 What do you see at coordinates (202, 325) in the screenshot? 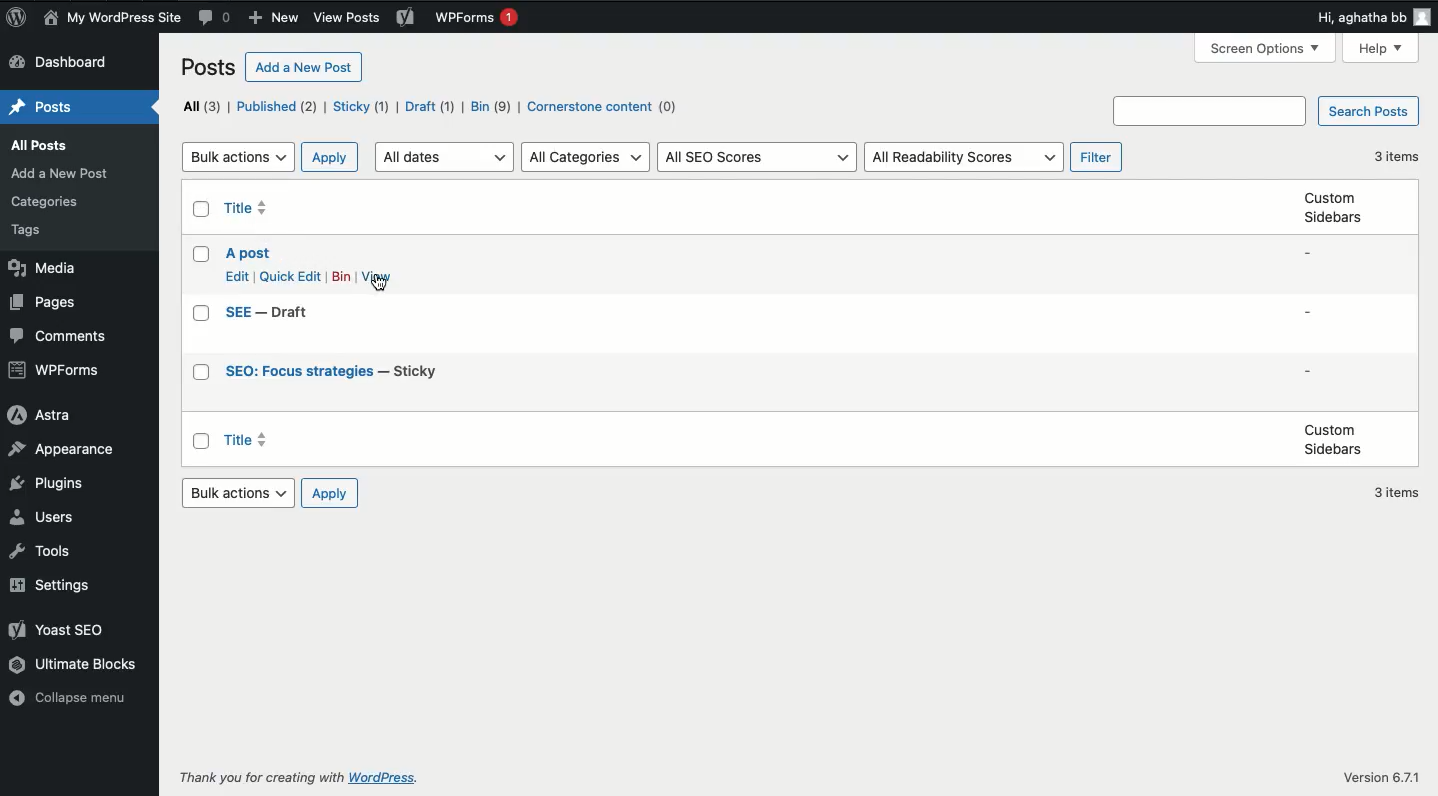
I see `Checkbox` at bounding box center [202, 325].